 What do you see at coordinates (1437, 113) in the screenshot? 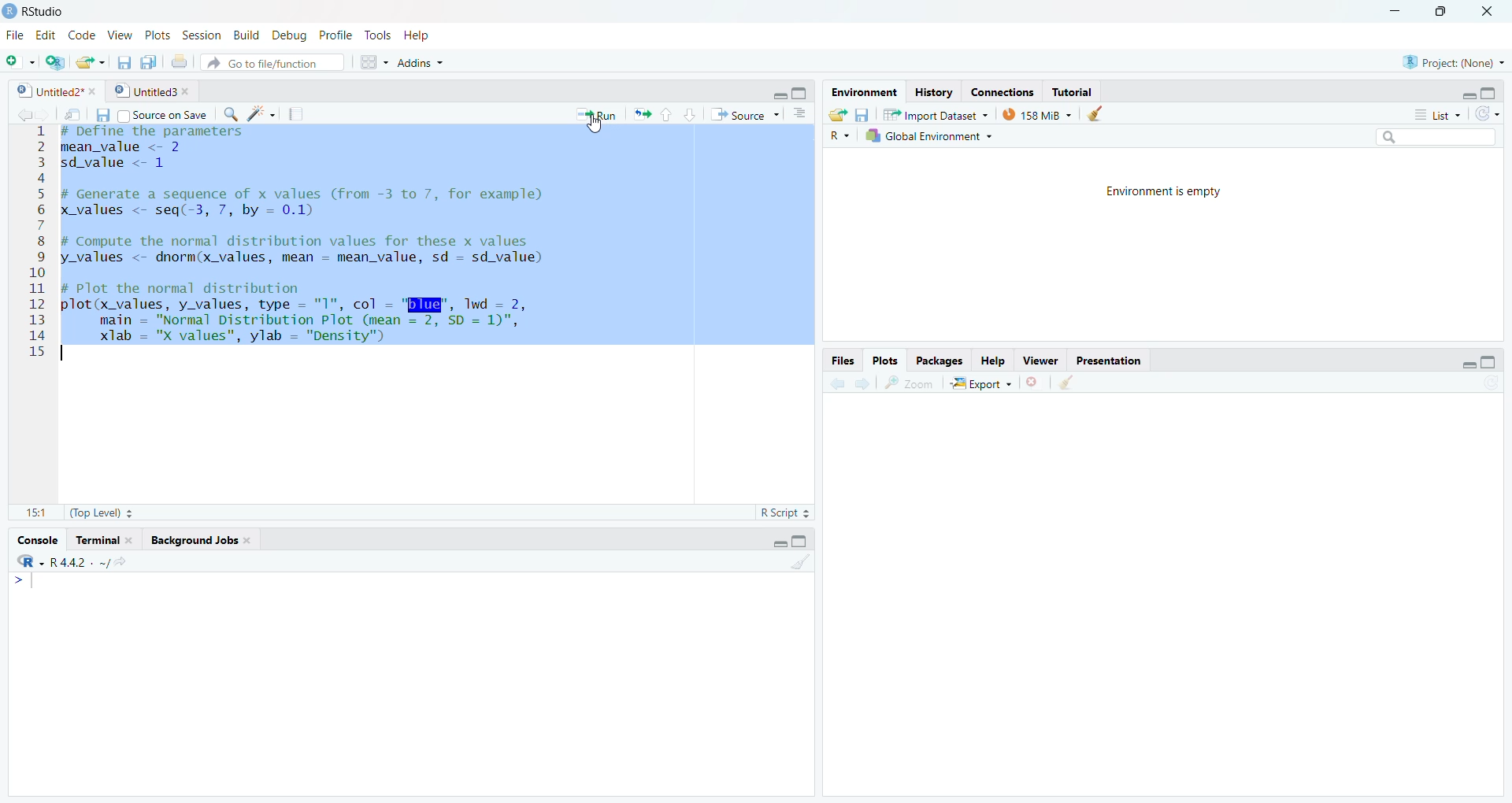
I see `© List +` at bounding box center [1437, 113].